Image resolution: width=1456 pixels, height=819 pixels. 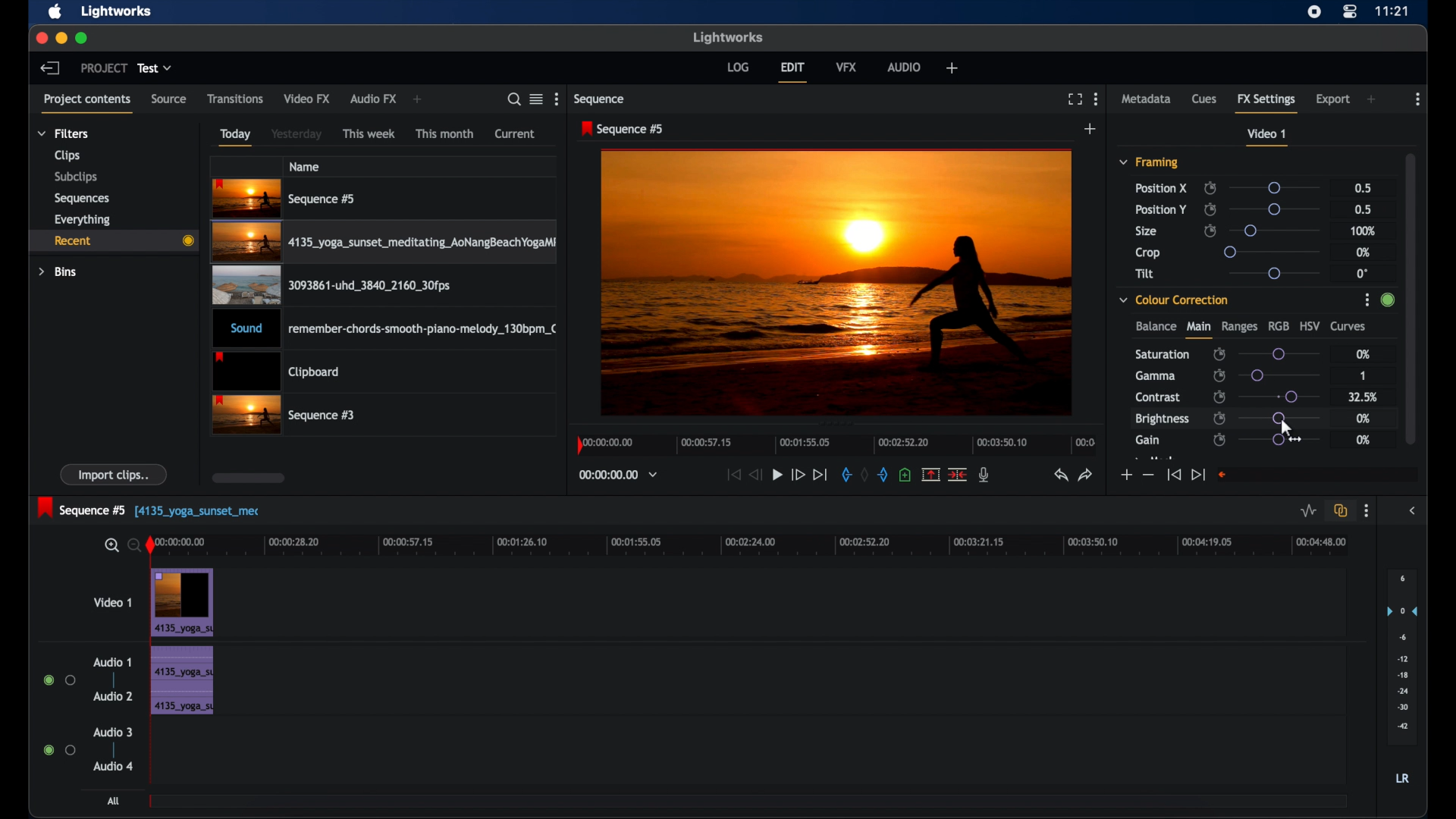 I want to click on slider, so click(x=1278, y=354).